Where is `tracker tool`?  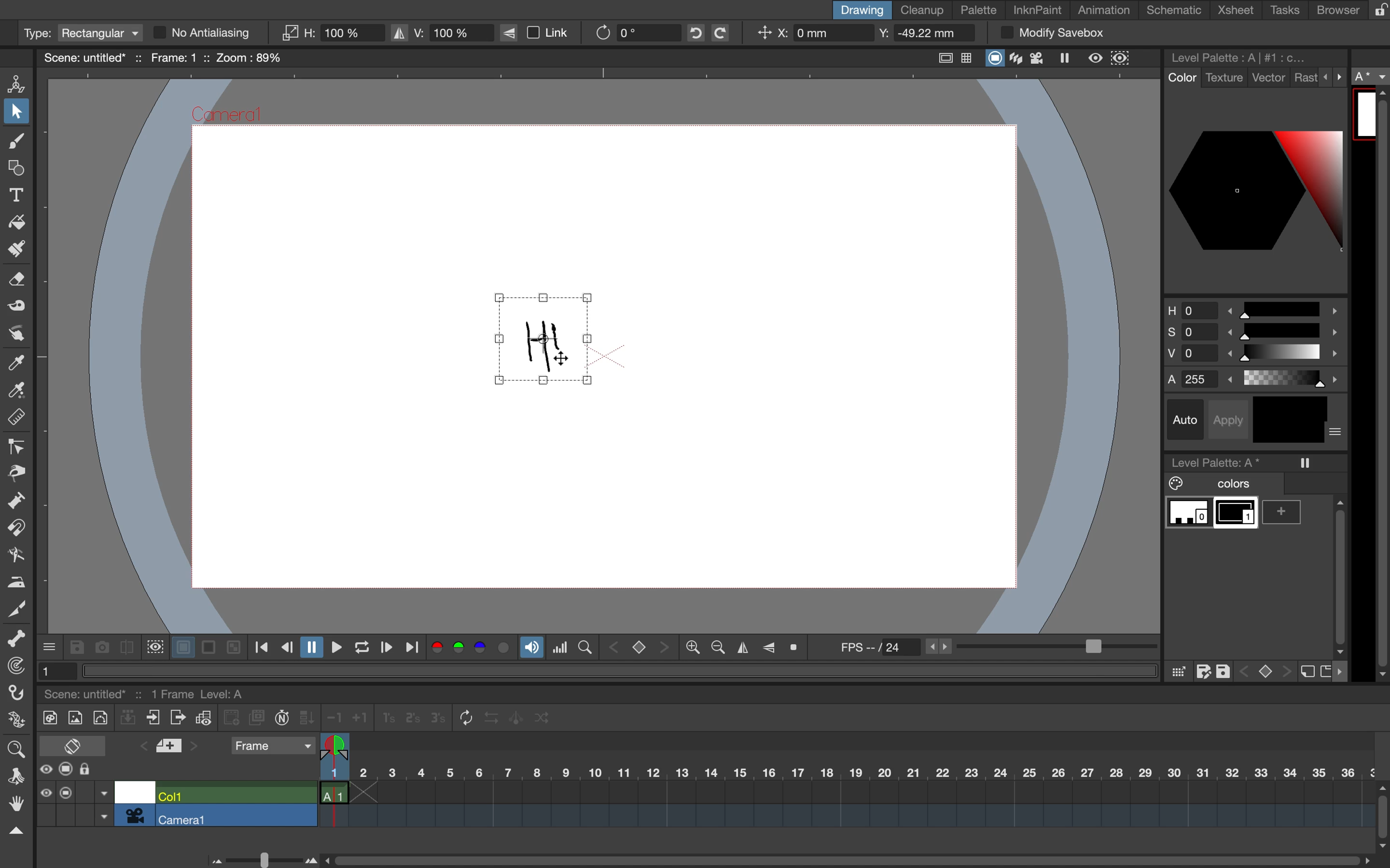 tracker tool is located at coordinates (13, 668).